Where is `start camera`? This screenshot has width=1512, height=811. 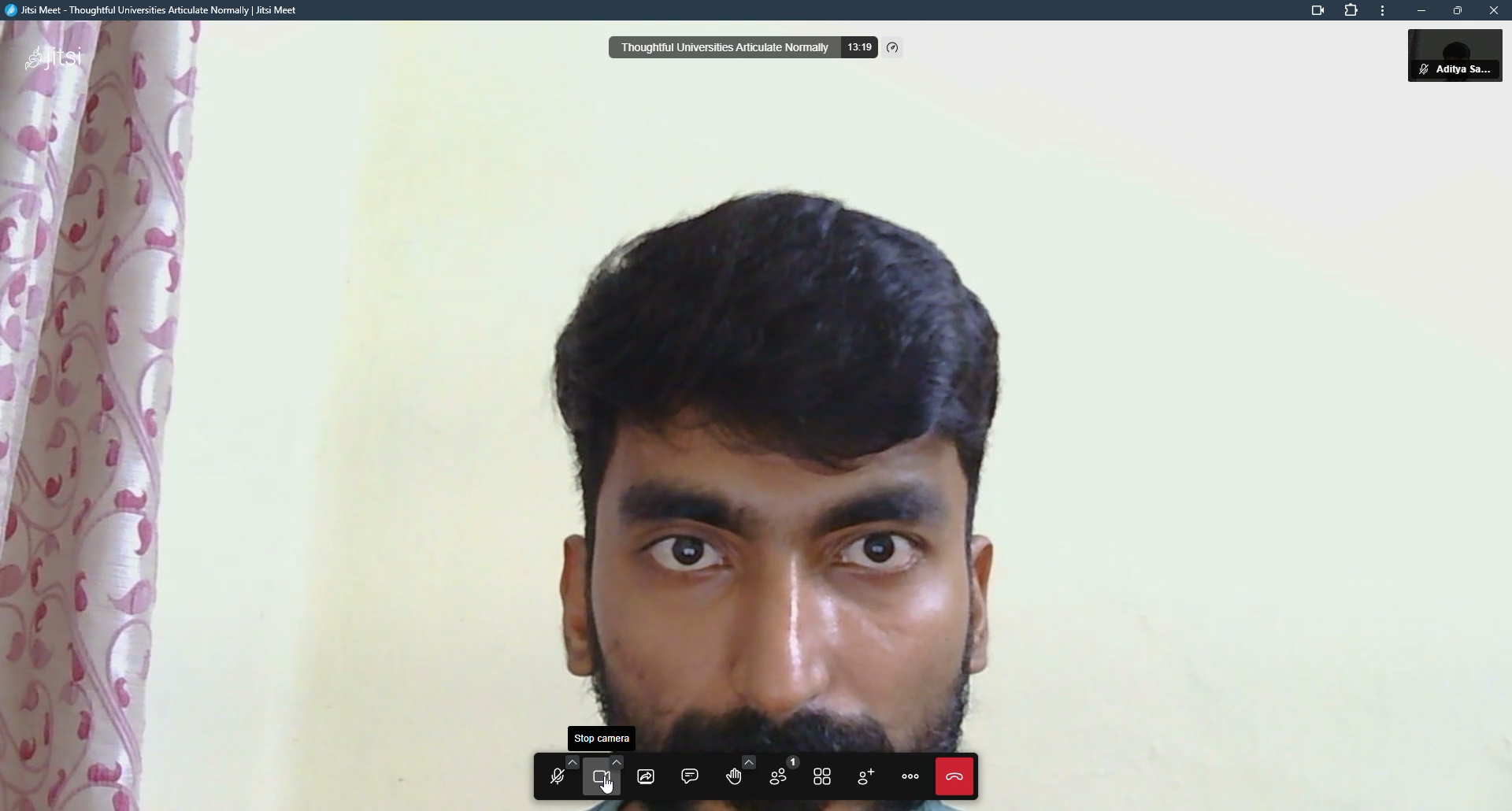 start camera is located at coordinates (602, 777).